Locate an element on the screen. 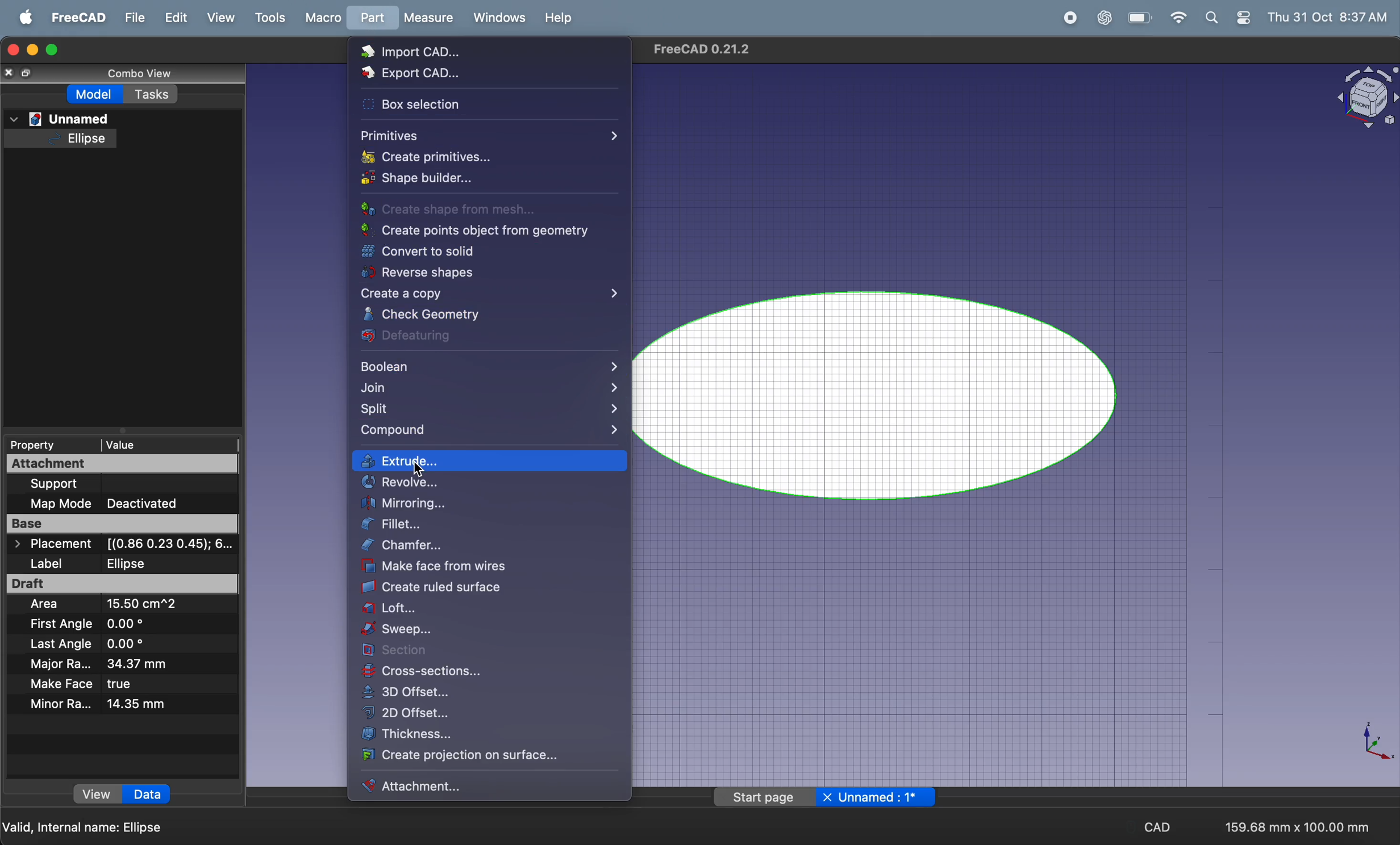 This screenshot has height=845, width=1400. windows is located at coordinates (497, 18).